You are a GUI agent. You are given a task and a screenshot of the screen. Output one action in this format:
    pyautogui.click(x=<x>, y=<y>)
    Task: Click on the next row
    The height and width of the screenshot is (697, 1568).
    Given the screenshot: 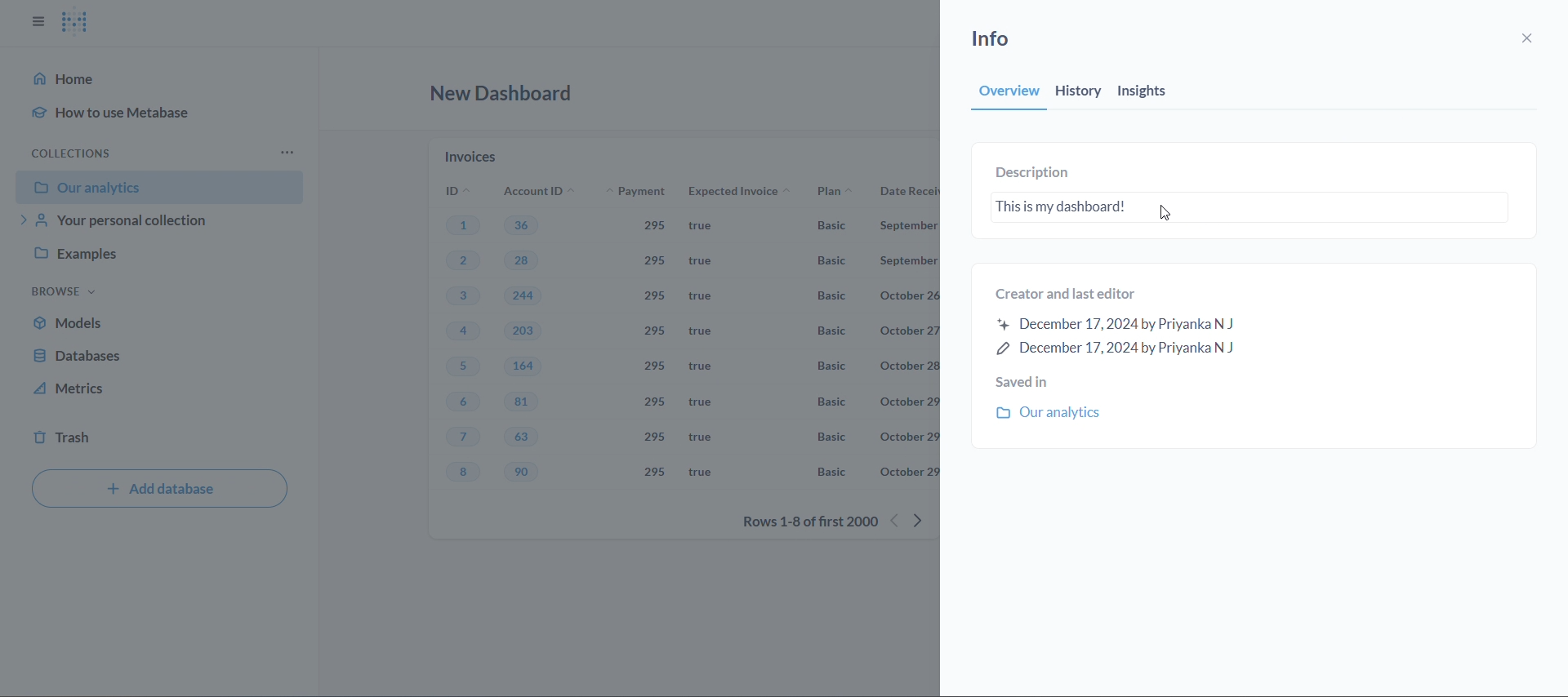 What is the action you would take?
    pyautogui.click(x=928, y=518)
    